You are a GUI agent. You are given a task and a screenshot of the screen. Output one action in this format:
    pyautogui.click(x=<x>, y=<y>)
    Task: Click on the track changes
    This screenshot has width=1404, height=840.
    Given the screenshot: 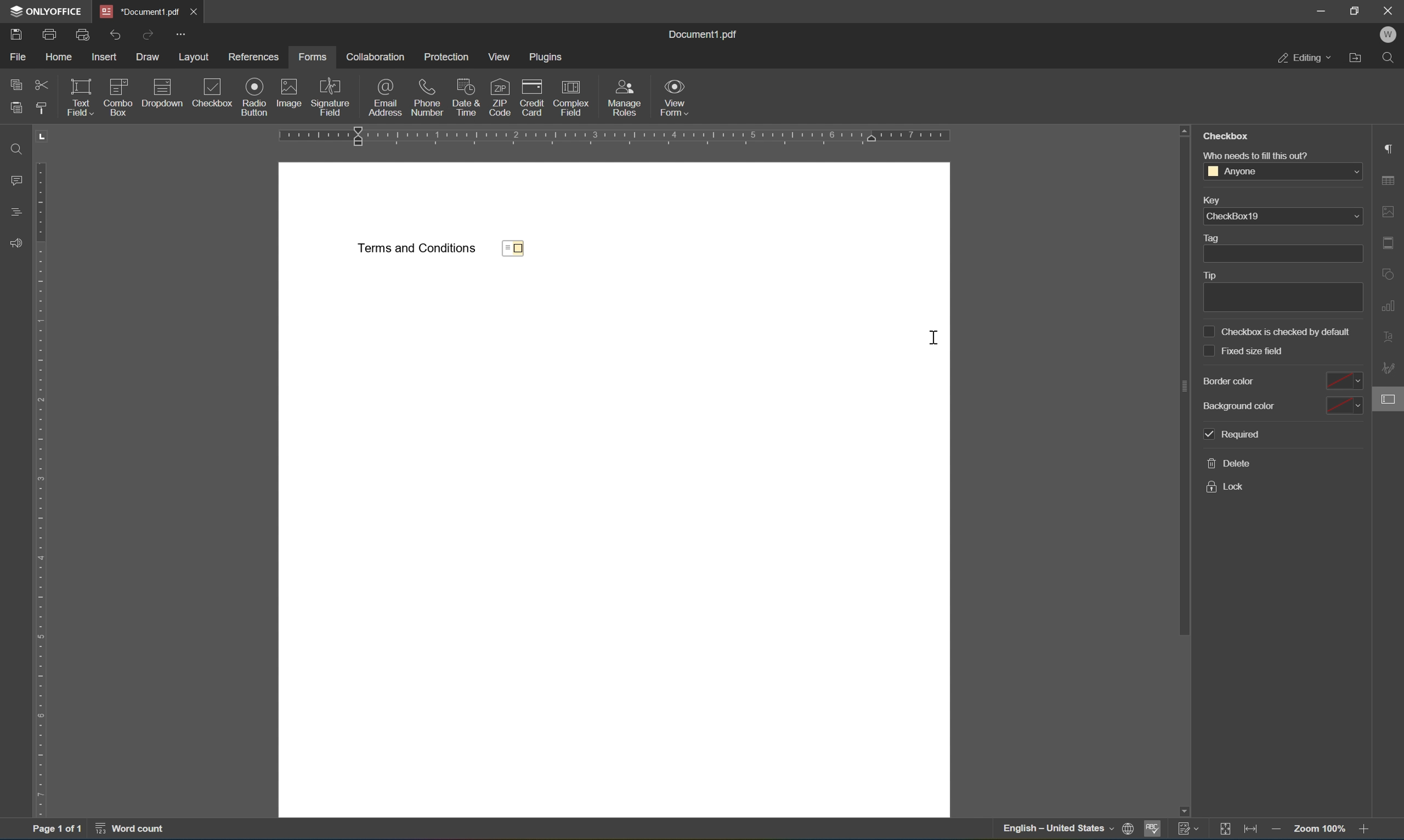 What is the action you would take?
    pyautogui.click(x=1189, y=830)
    